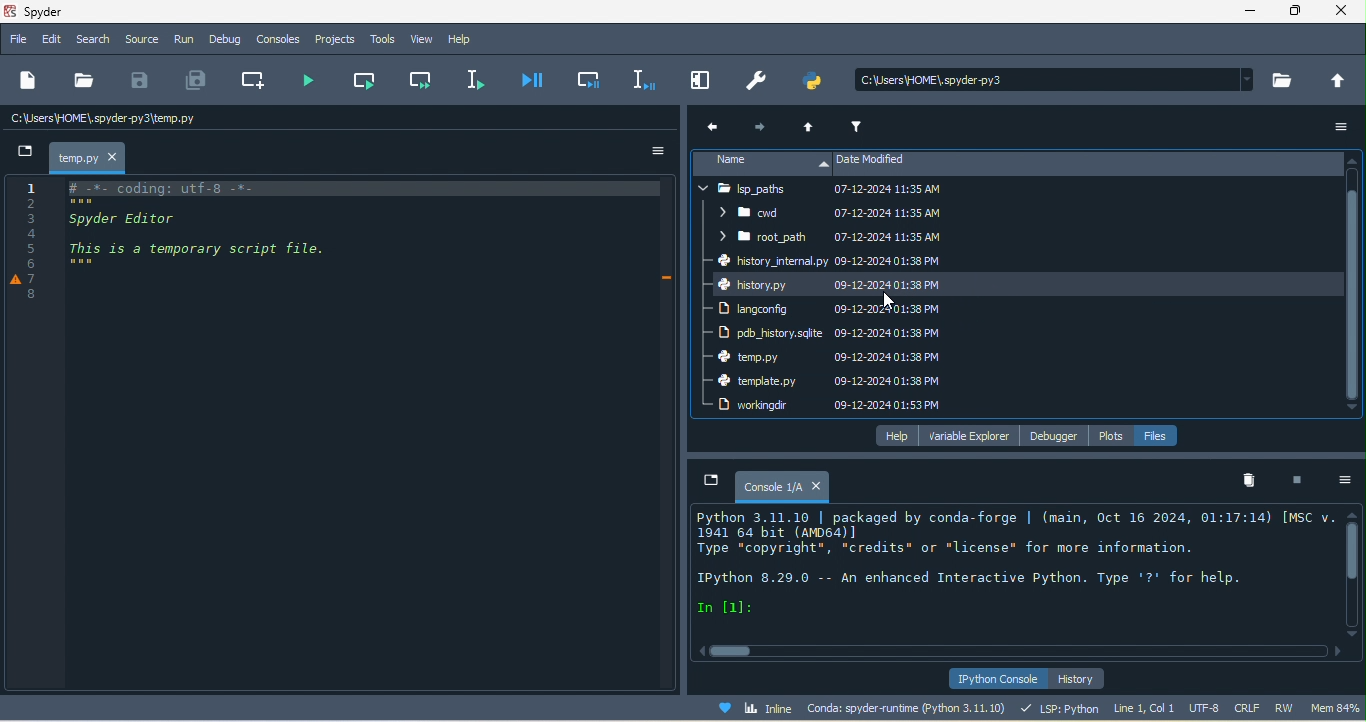 This screenshot has width=1366, height=722. What do you see at coordinates (117, 119) in the screenshot?
I see `c\users\home\spyder/temp.py` at bounding box center [117, 119].